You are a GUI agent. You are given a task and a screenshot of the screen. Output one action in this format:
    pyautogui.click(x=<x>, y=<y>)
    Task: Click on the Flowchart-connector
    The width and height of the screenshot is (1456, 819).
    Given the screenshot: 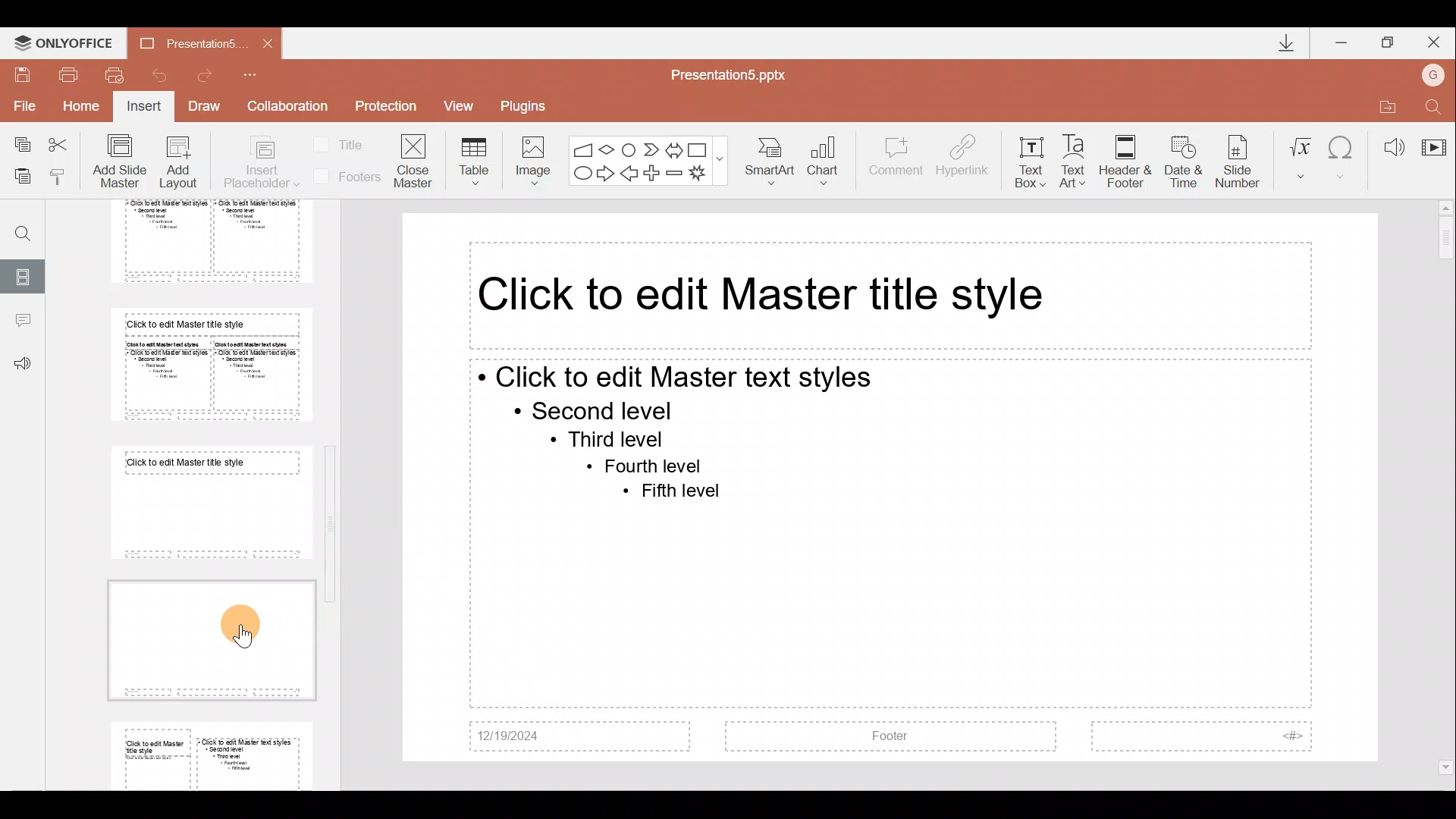 What is the action you would take?
    pyautogui.click(x=629, y=146)
    